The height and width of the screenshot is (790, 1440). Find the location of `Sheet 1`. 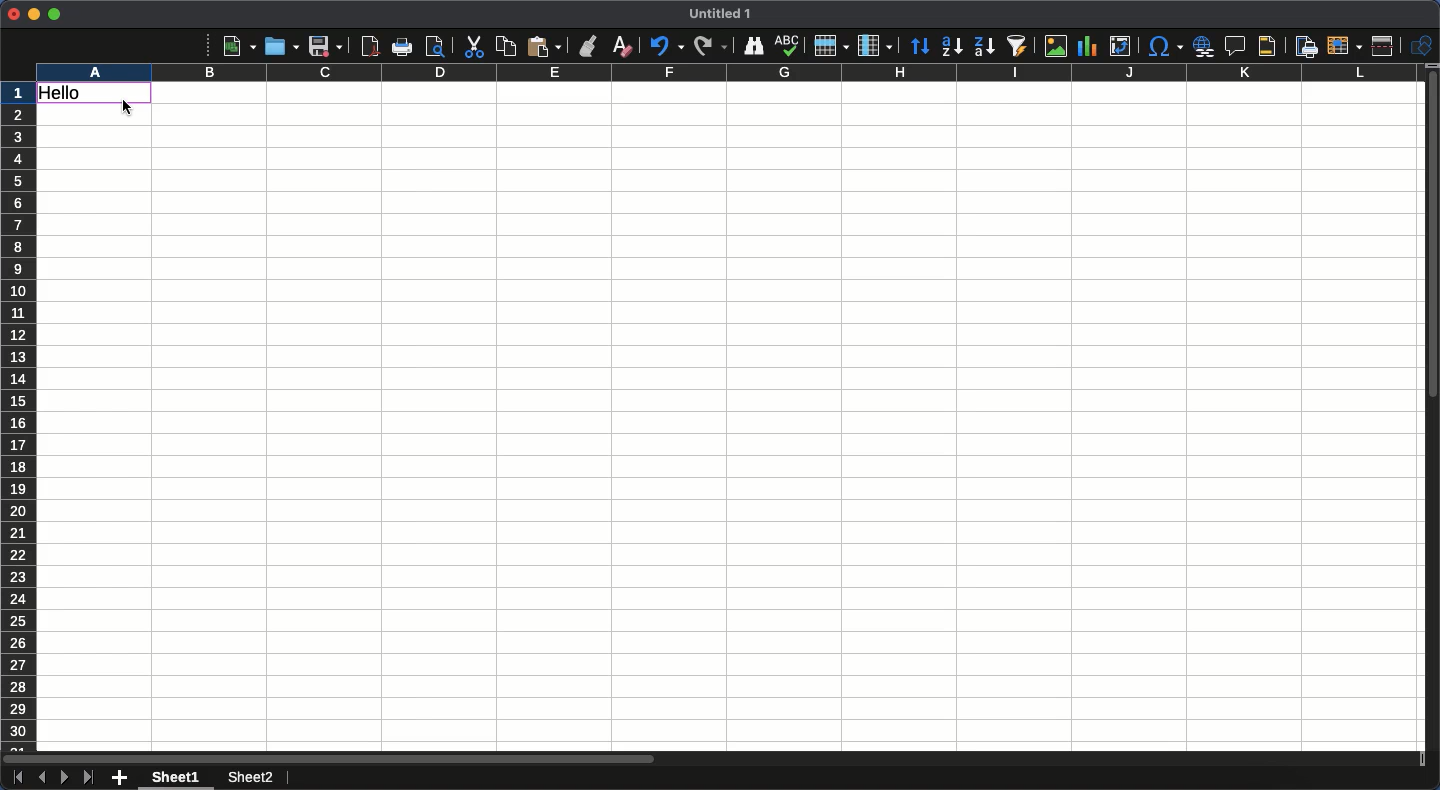

Sheet 1 is located at coordinates (179, 778).